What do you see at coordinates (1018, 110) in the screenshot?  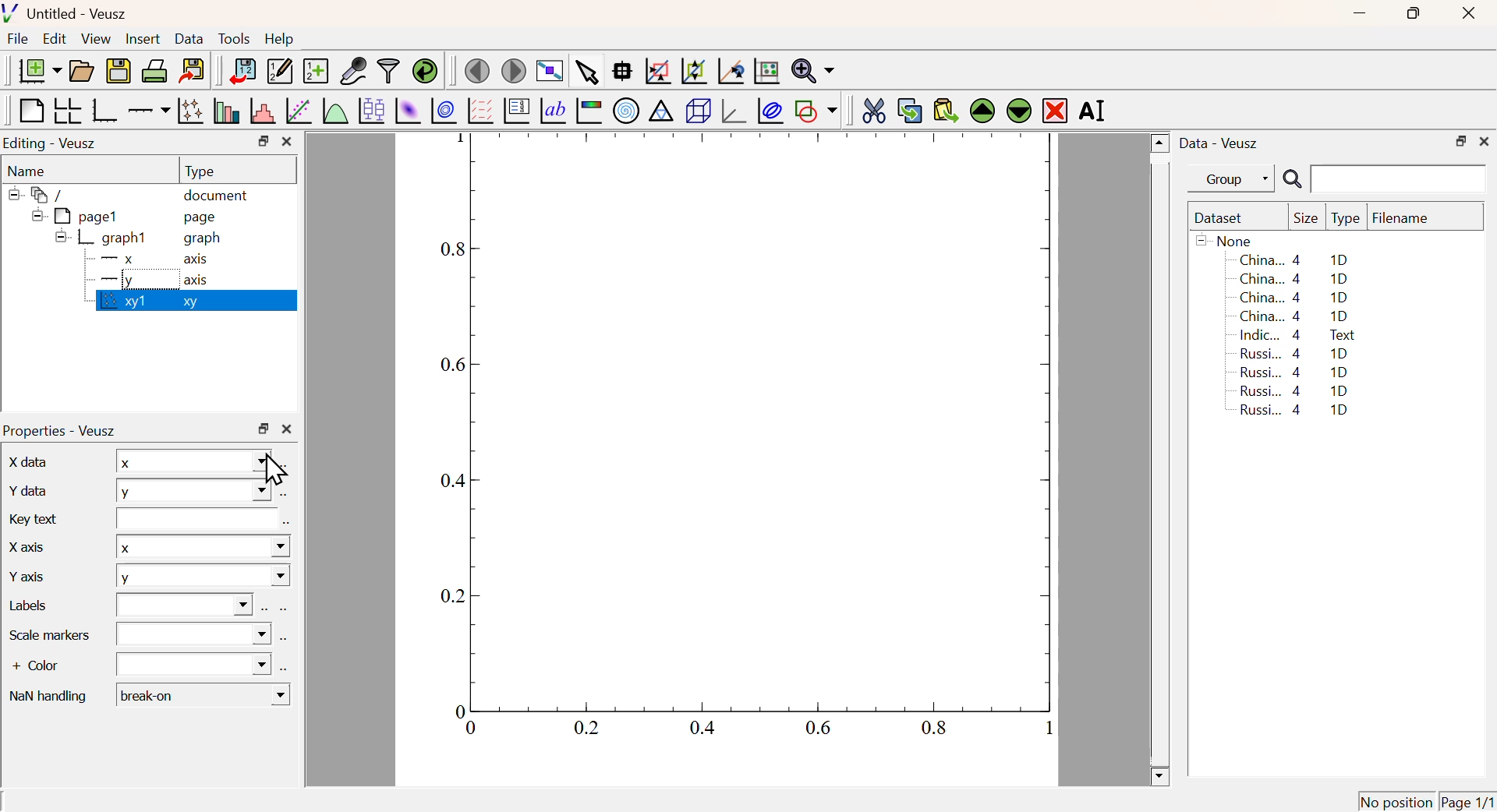 I see `Move Down` at bounding box center [1018, 110].